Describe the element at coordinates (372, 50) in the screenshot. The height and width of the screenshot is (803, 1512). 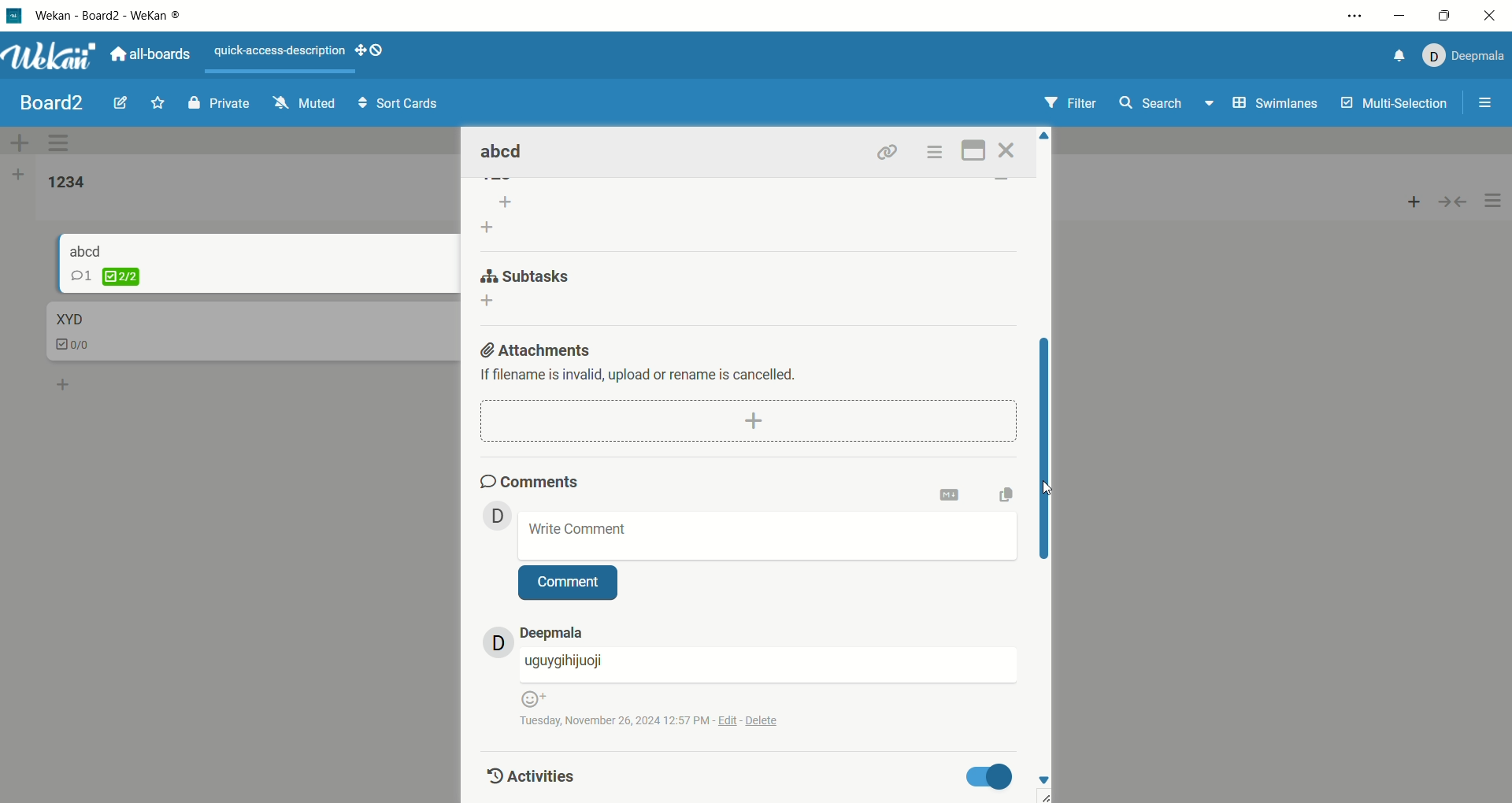
I see `show-desktop-drag-handles` at that location.